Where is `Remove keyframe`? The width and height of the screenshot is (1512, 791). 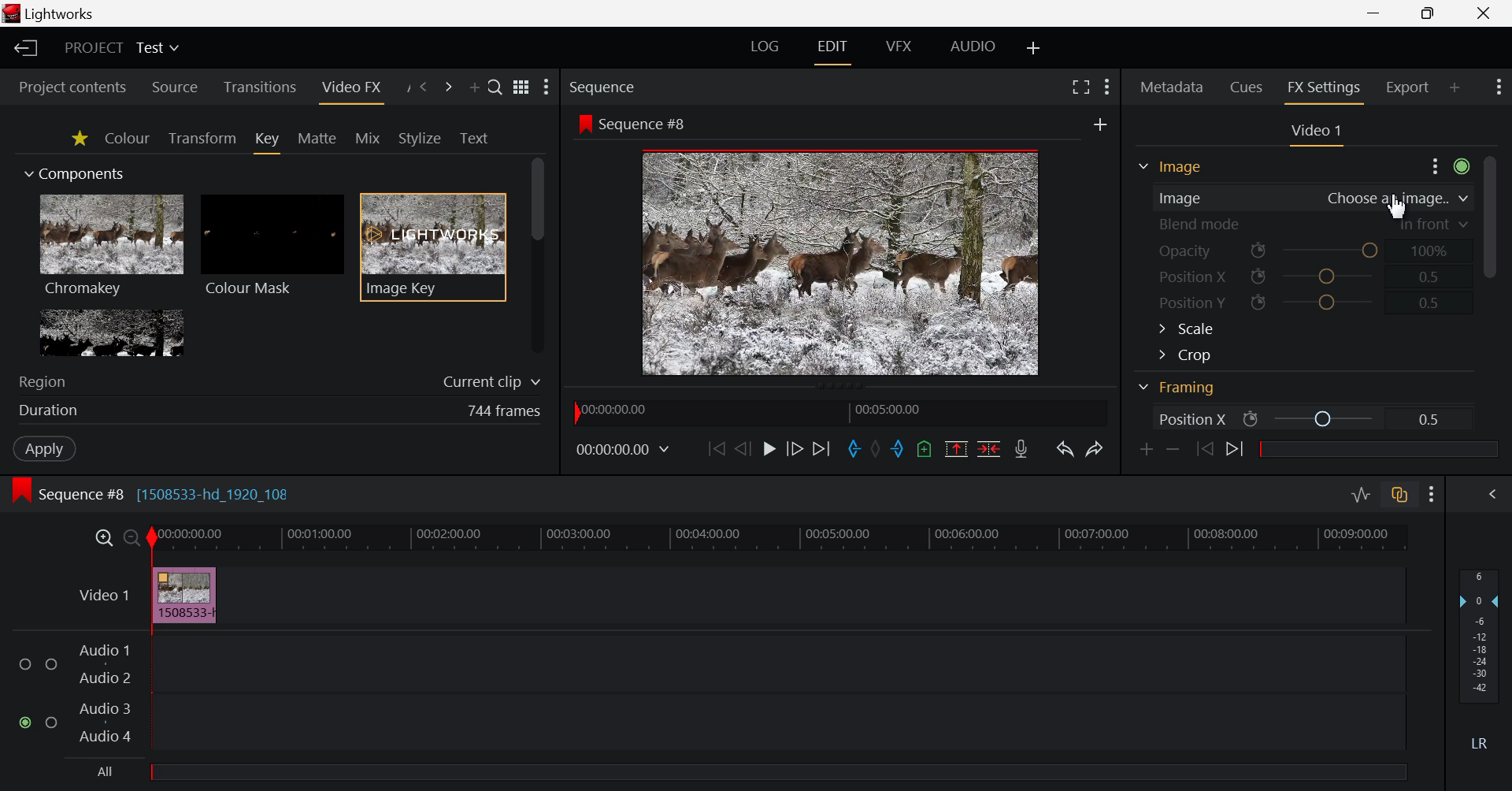 Remove keyframe is located at coordinates (1176, 448).